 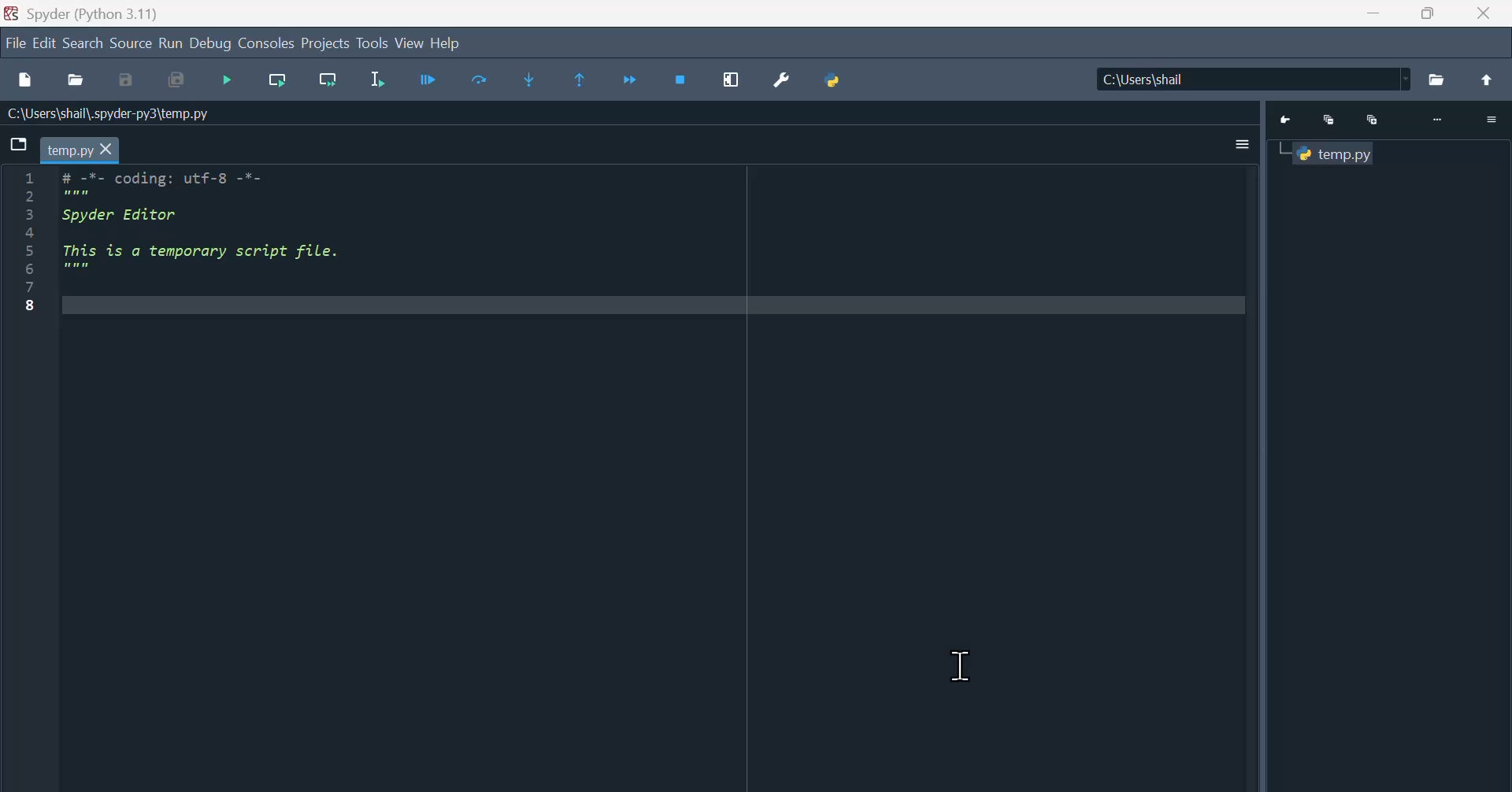 What do you see at coordinates (328, 80) in the screenshot?
I see `Run cell till next function` at bounding box center [328, 80].